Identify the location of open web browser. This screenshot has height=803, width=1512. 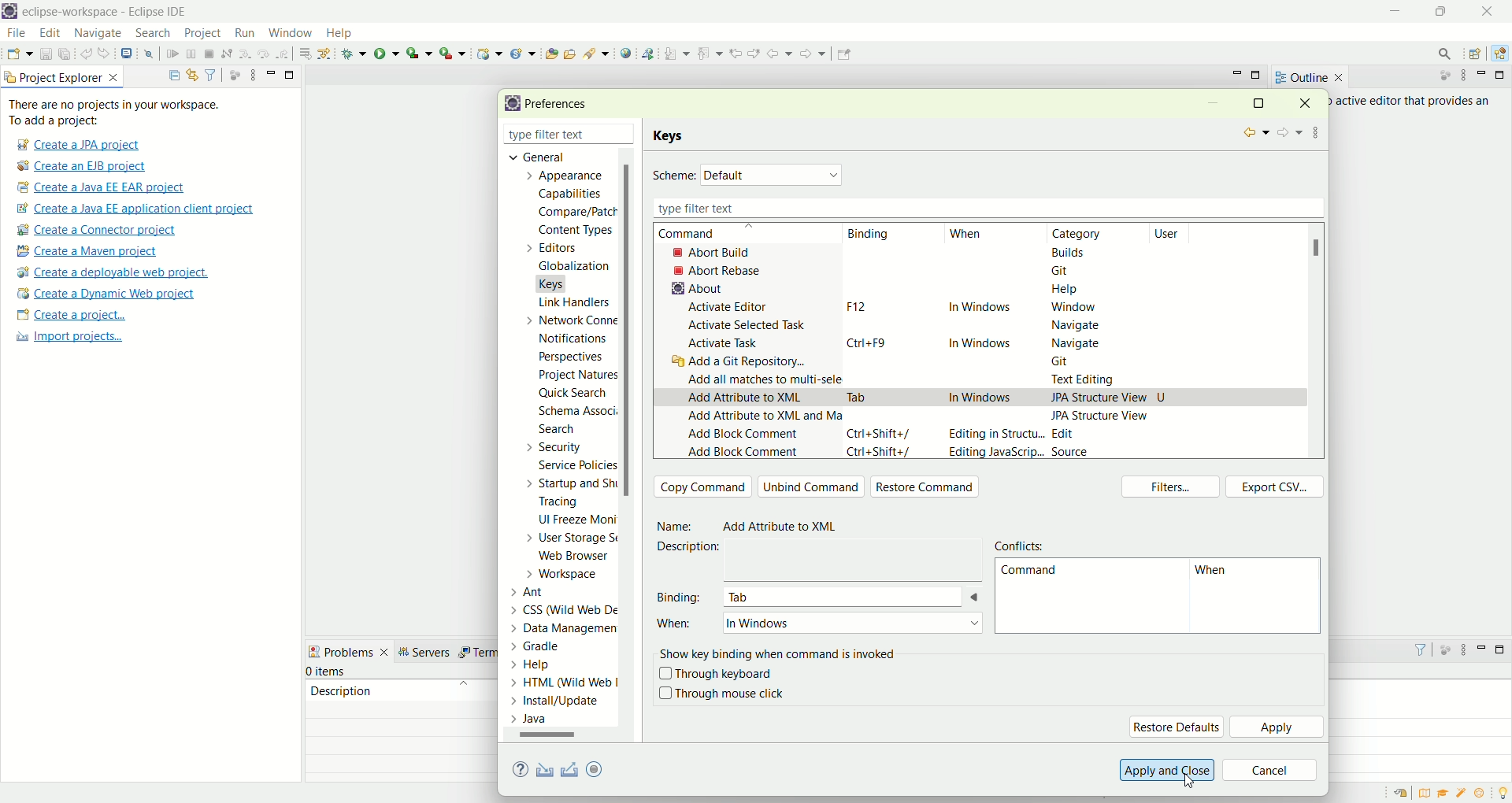
(626, 54).